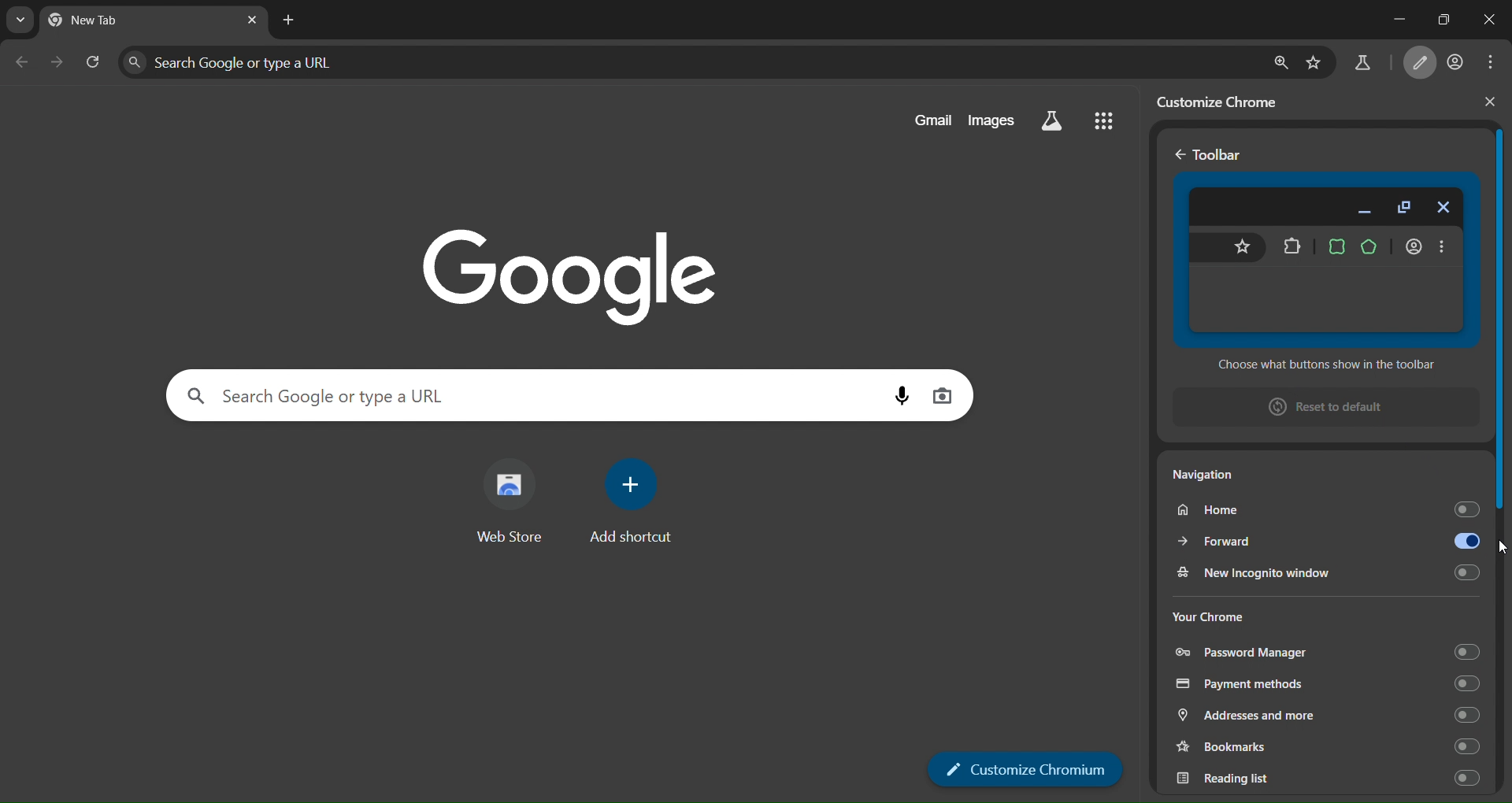 The height and width of the screenshot is (803, 1512). Describe the element at coordinates (1328, 652) in the screenshot. I see `password manager` at that location.